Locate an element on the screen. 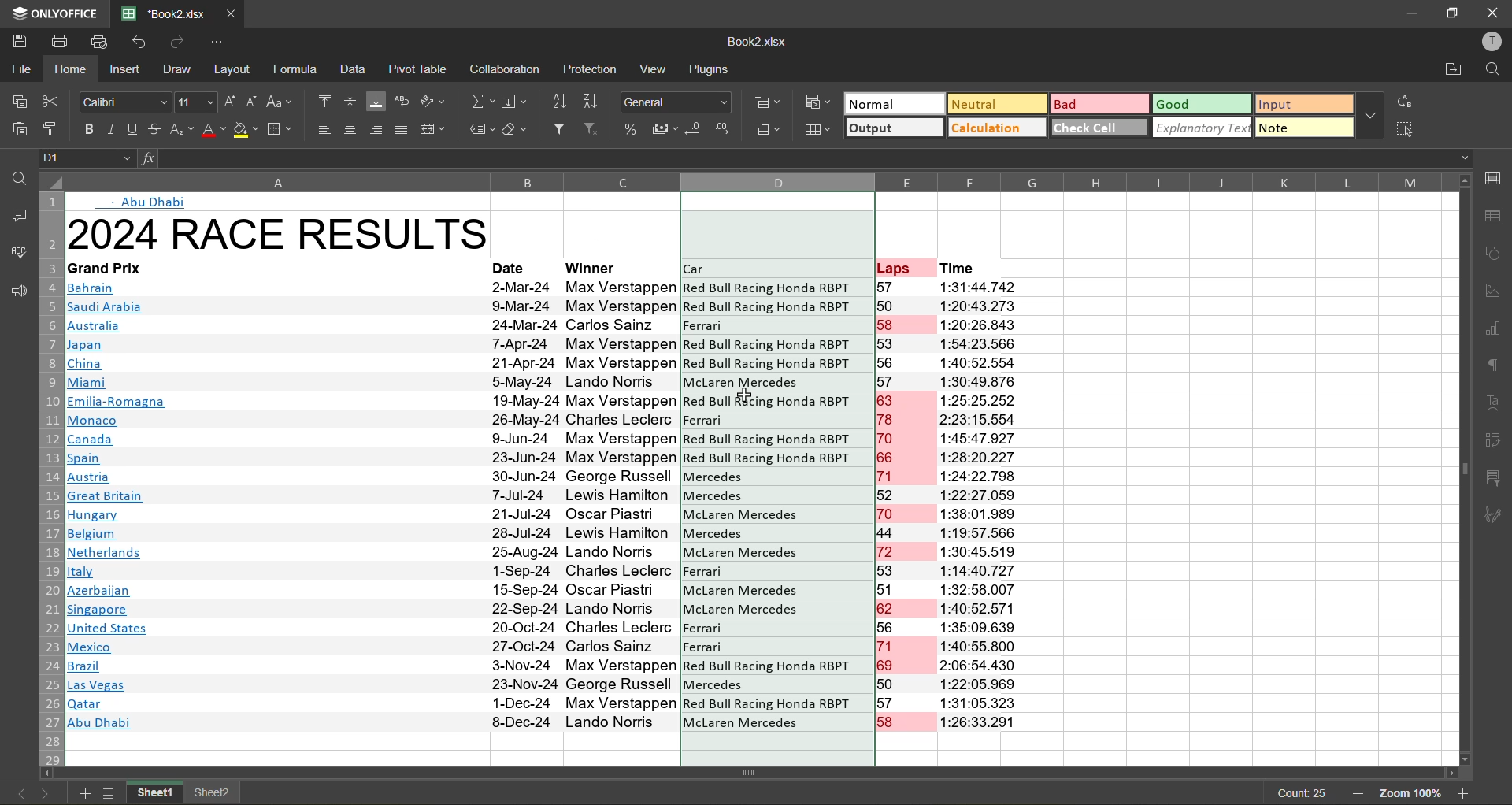 The width and height of the screenshot is (1512, 805). find is located at coordinates (19, 176).